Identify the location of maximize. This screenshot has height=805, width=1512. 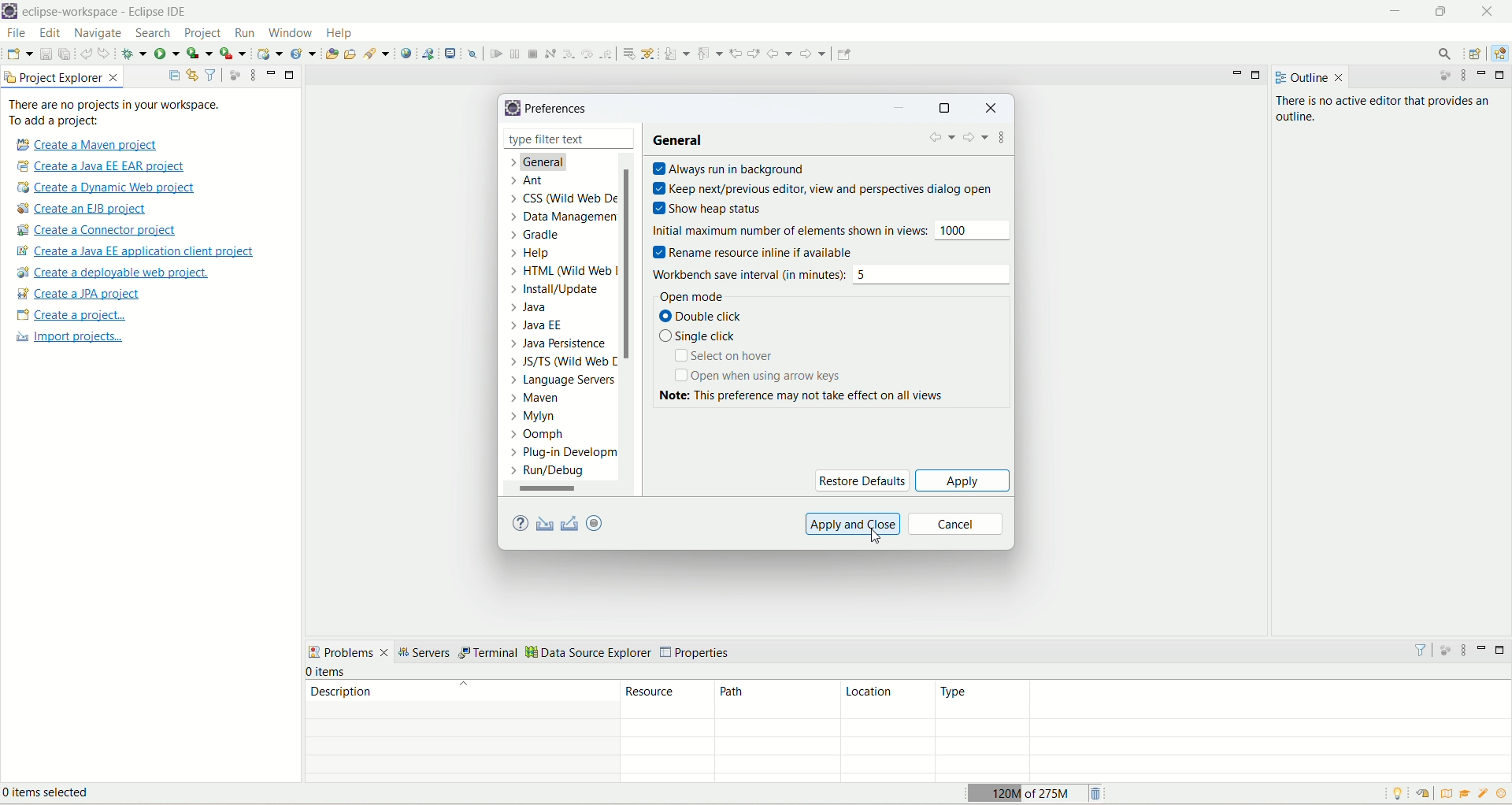
(1259, 76).